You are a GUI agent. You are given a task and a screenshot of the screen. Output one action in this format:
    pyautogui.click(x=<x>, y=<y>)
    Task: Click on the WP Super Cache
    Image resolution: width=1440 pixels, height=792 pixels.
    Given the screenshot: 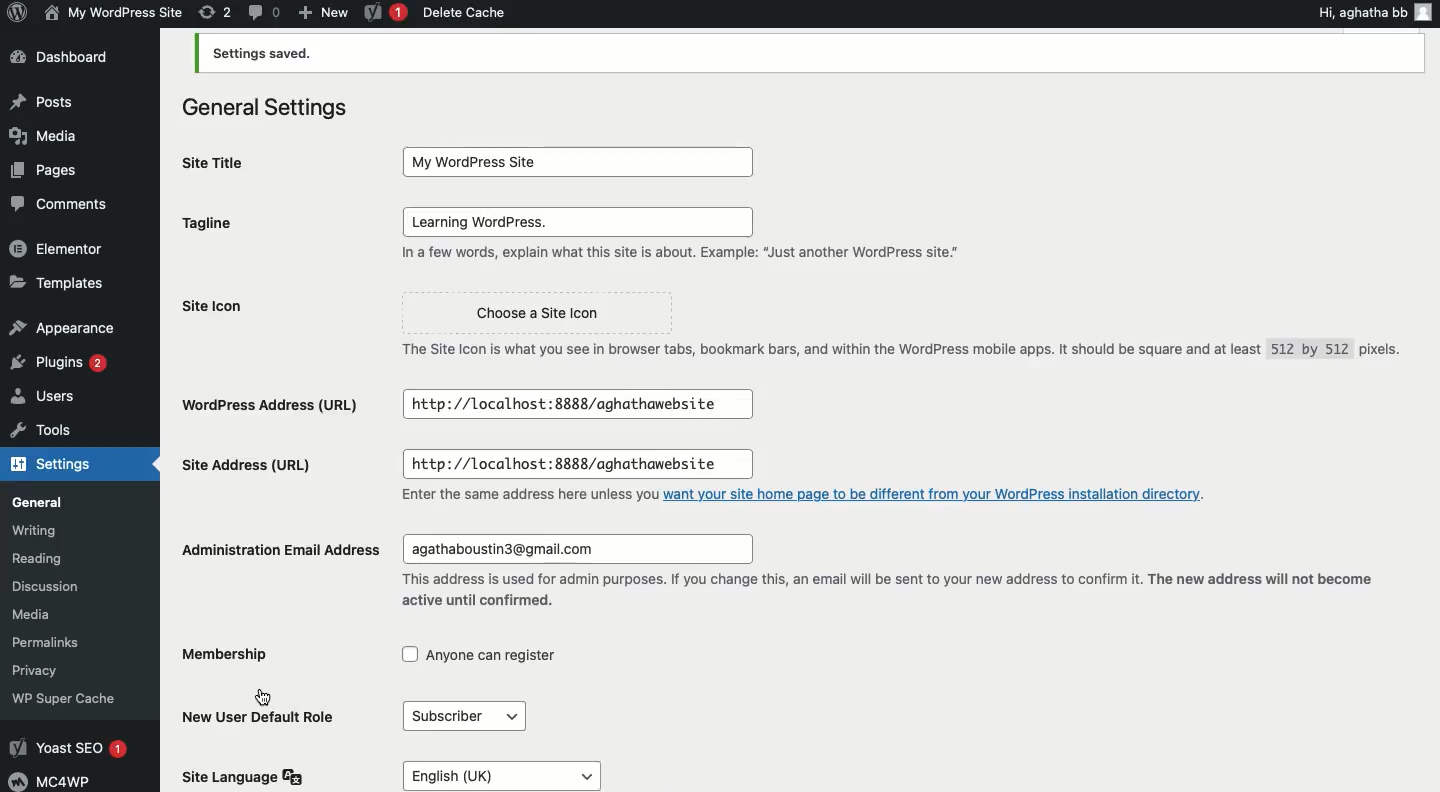 What is the action you would take?
    pyautogui.click(x=79, y=698)
    